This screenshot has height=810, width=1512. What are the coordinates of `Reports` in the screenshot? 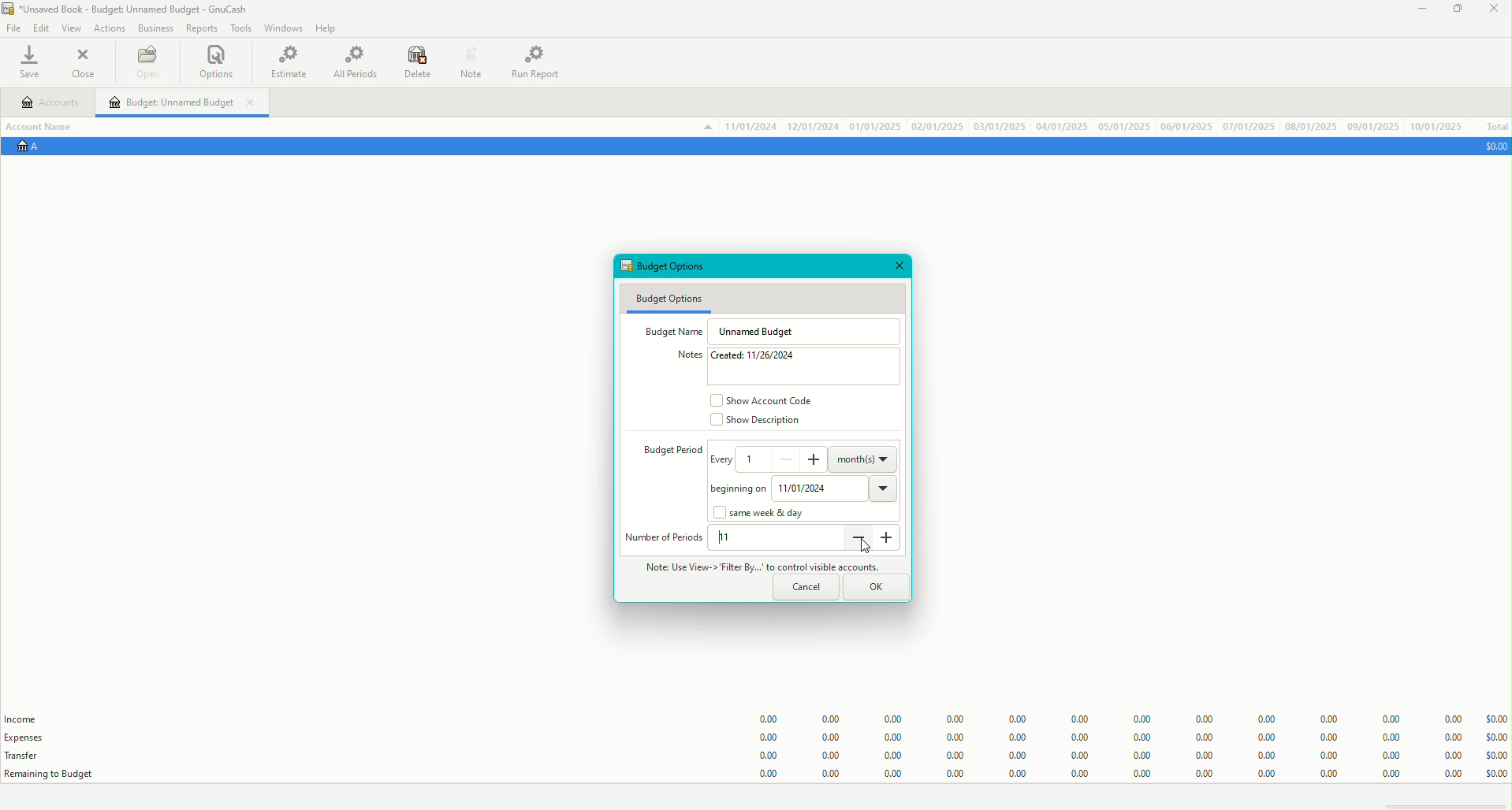 It's located at (202, 29).